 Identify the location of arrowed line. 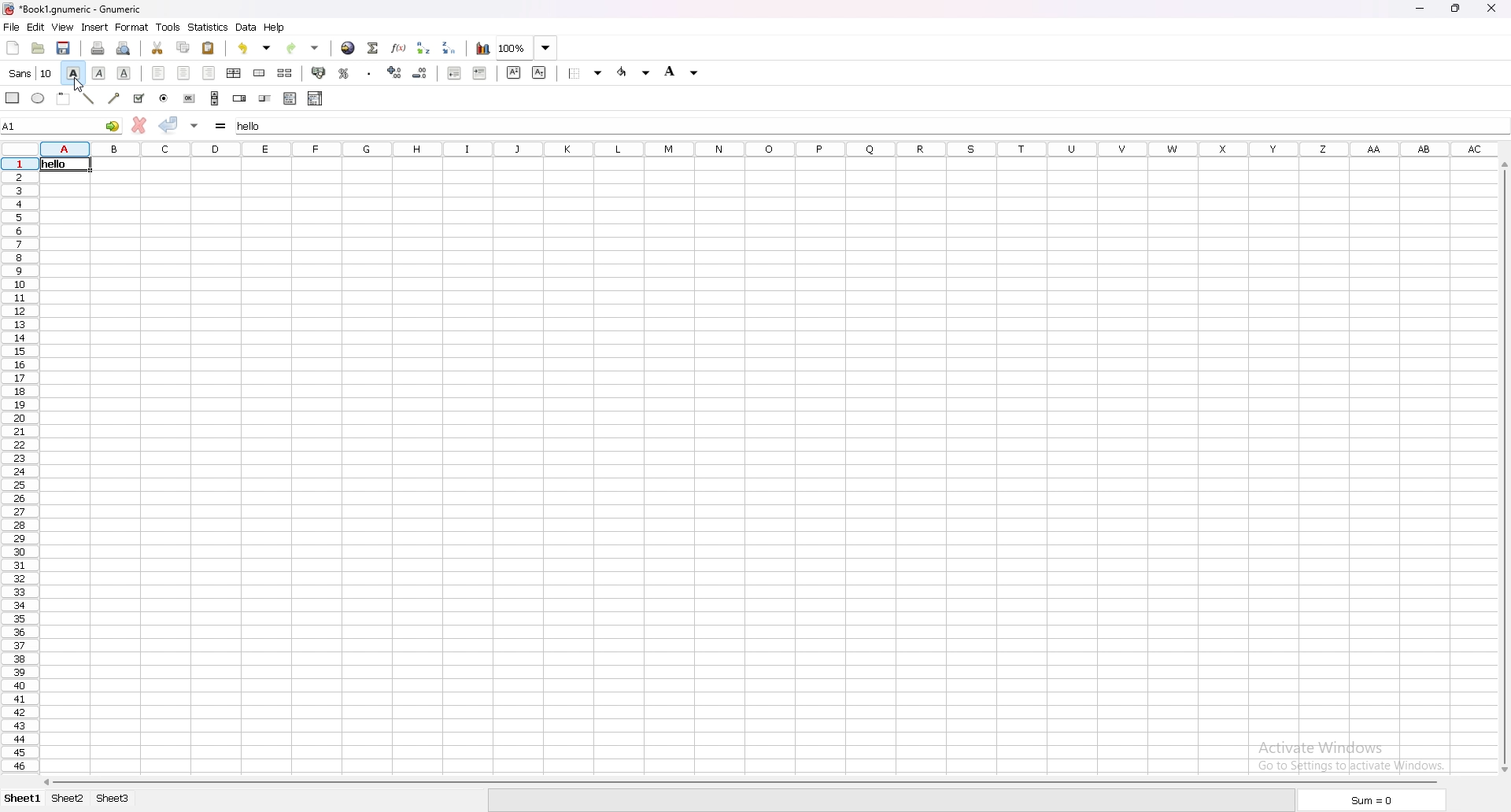
(115, 98).